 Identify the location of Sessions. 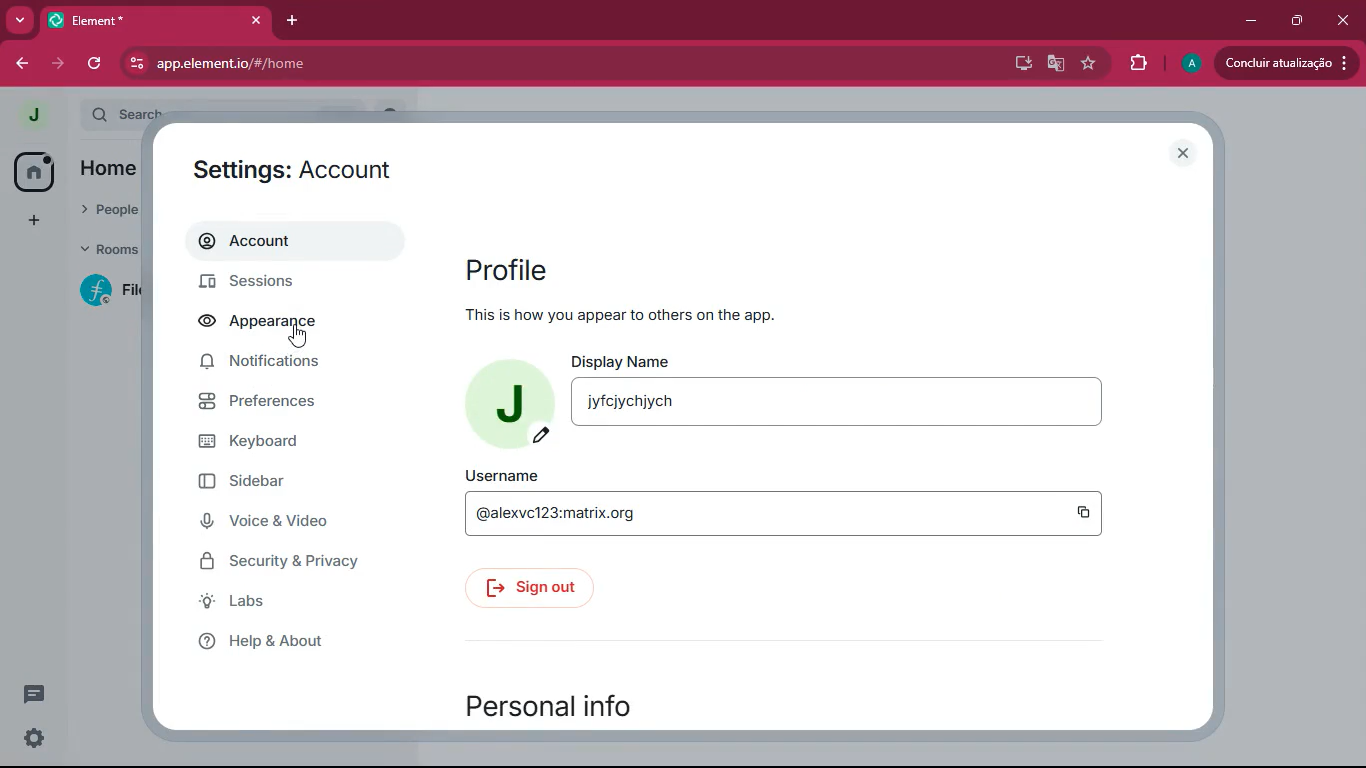
(271, 280).